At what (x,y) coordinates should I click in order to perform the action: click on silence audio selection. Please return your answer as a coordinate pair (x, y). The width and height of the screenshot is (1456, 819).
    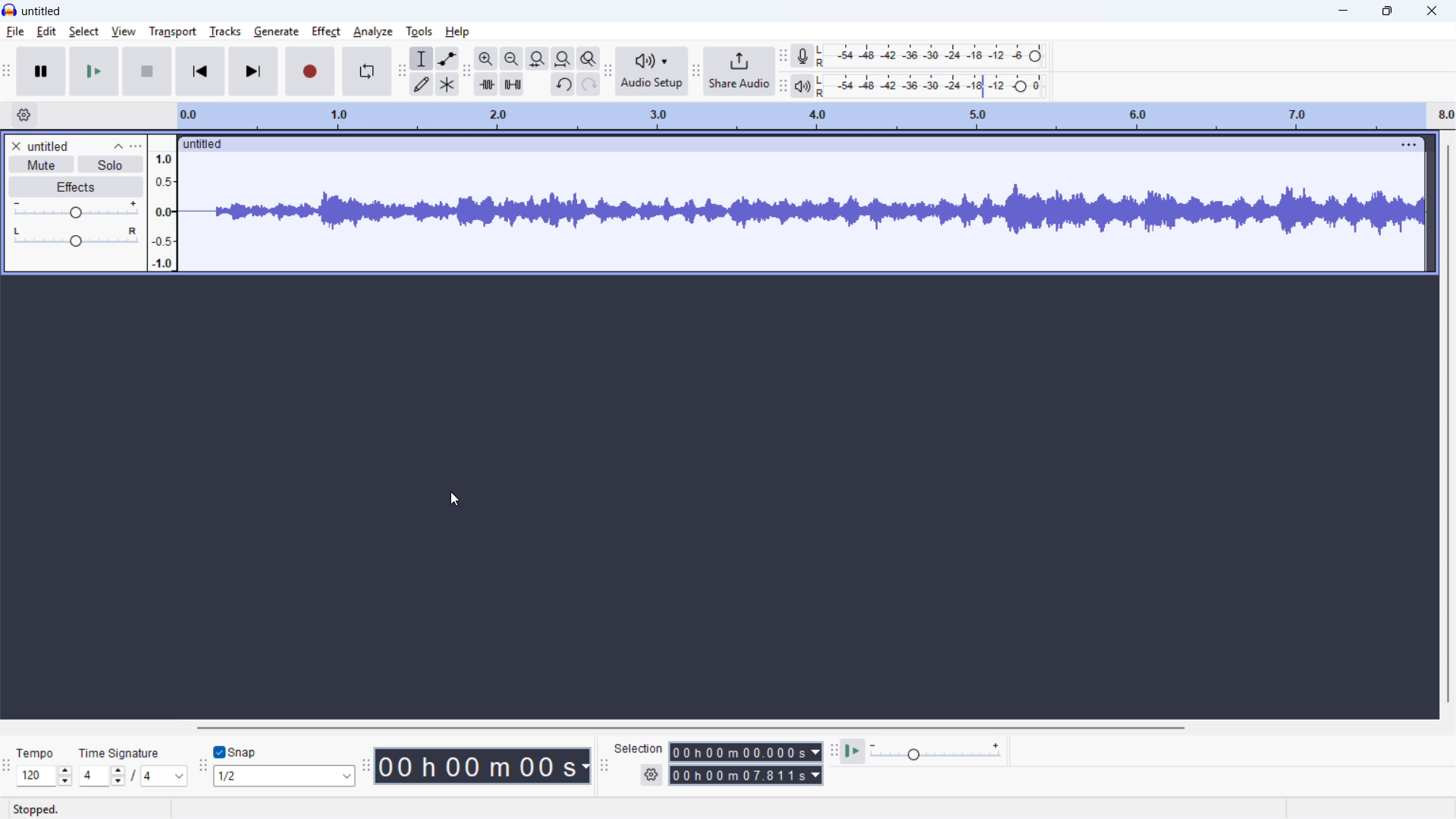
    Looking at the image, I should click on (512, 84).